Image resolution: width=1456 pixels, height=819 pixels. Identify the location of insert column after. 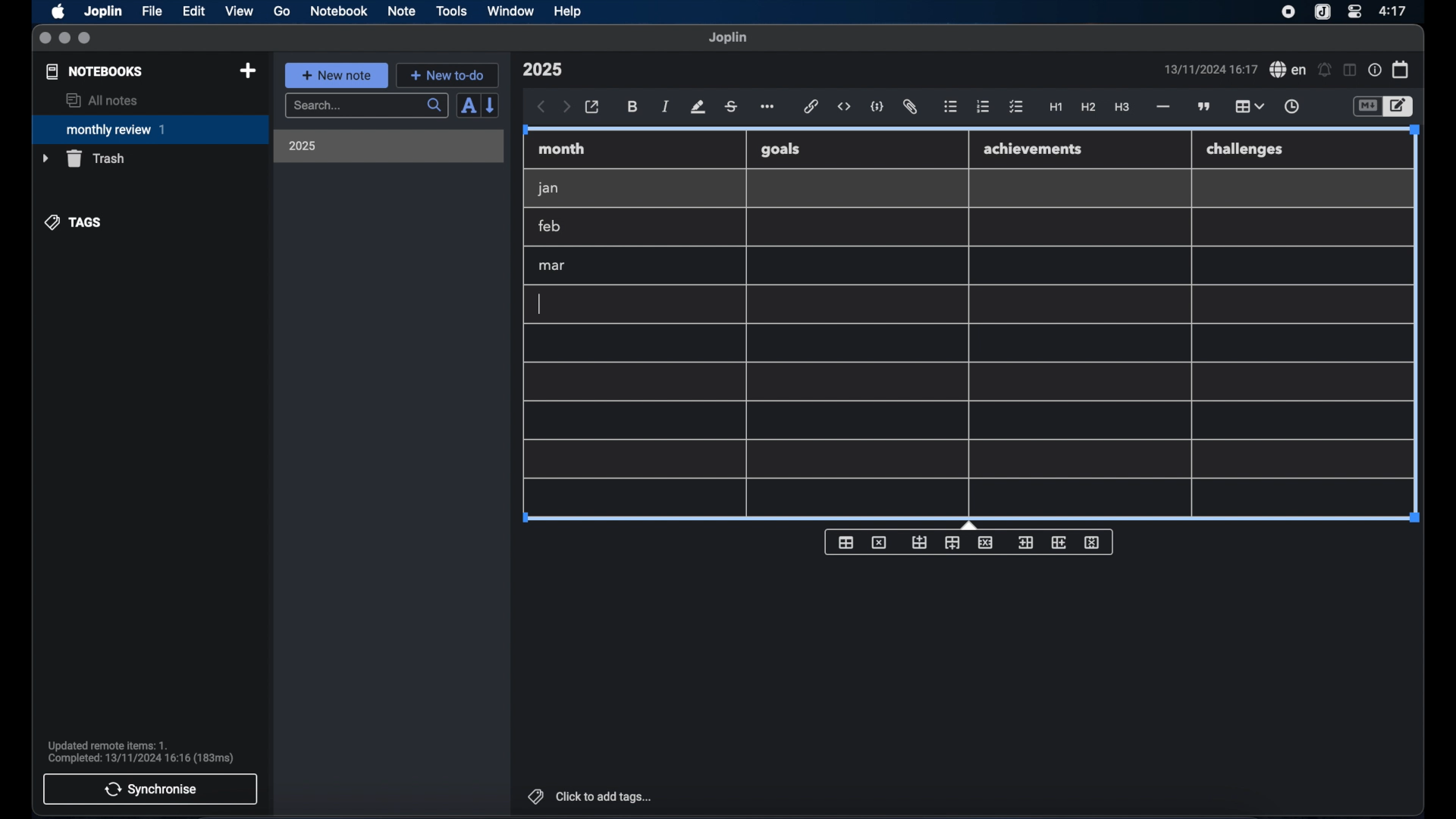
(1059, 542).